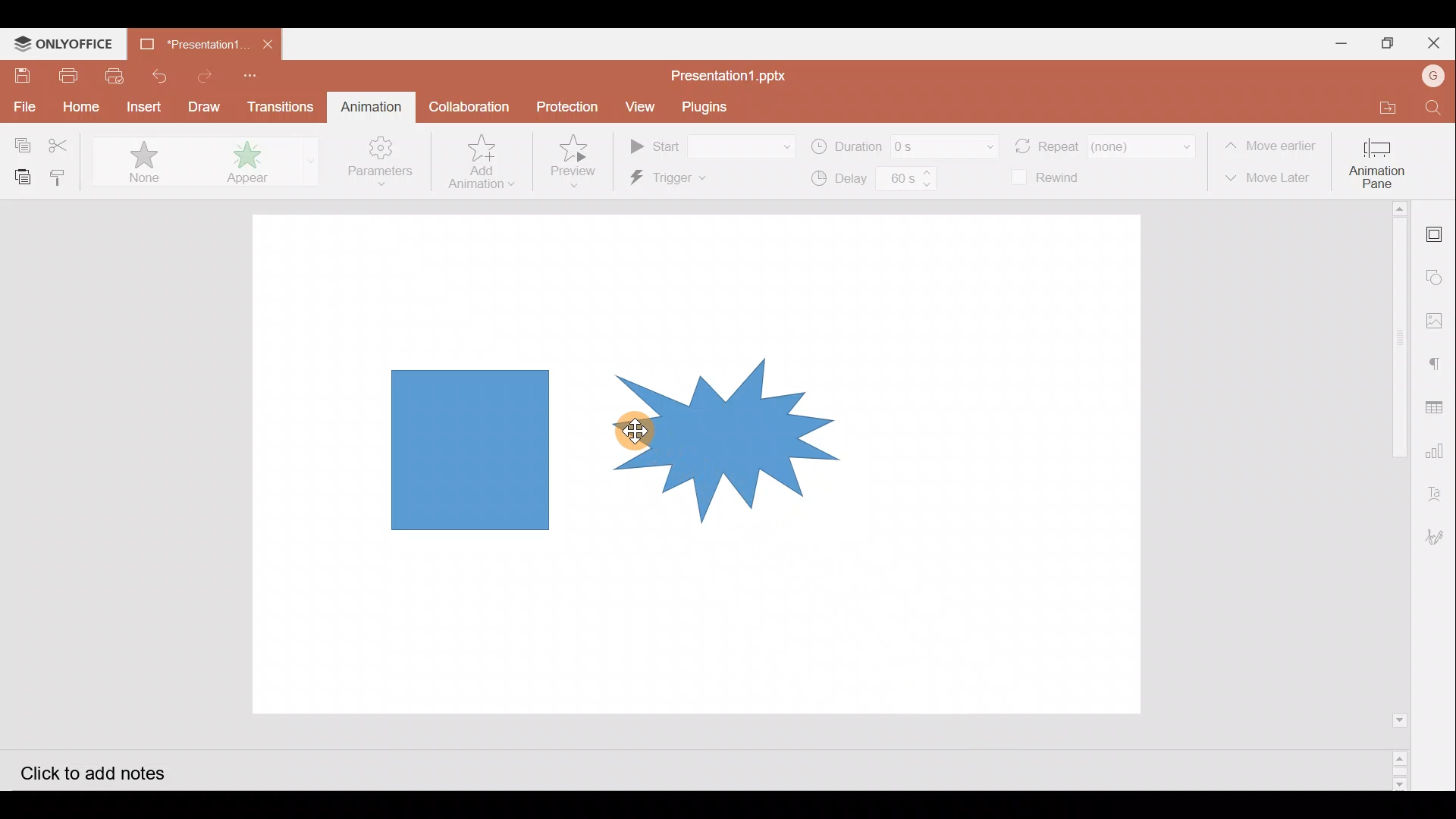 This screenshot has height=819, width=1456. I want to click on View, so click(637, 108).